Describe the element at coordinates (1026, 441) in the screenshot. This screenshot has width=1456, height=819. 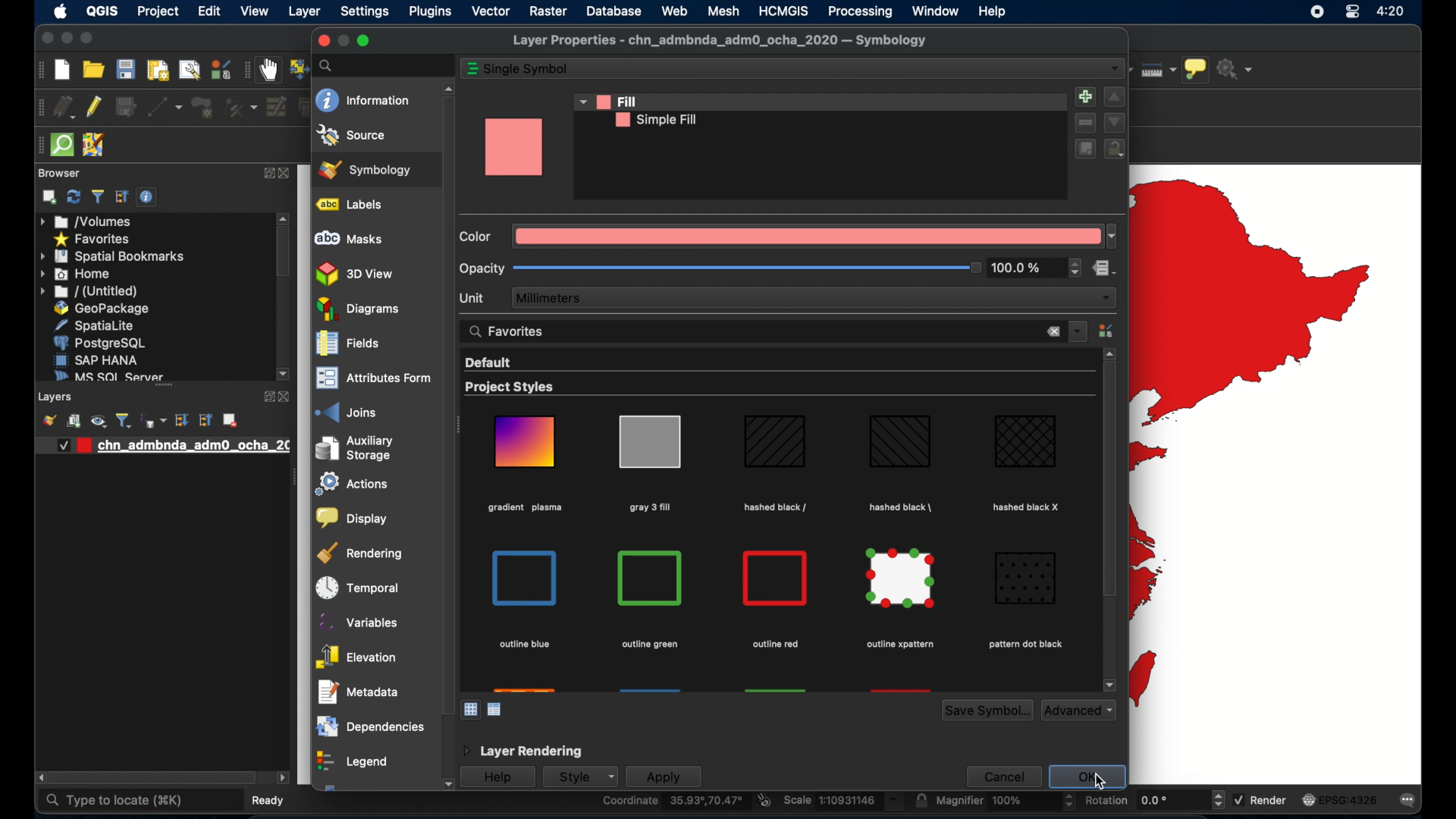
I see `Gradient preview ` at that location.